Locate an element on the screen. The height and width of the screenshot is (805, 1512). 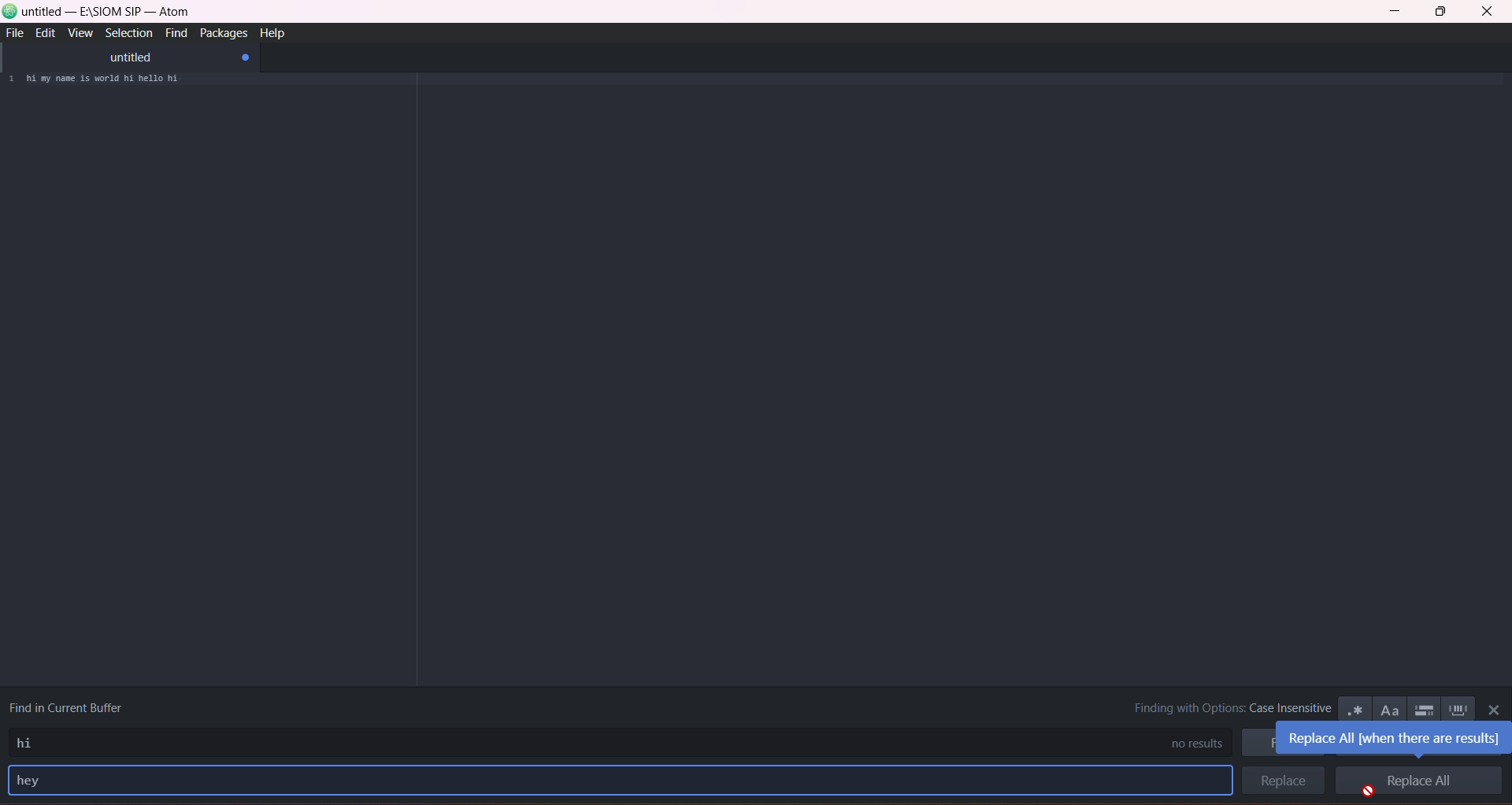
close panel is located at coordinates (1491, 712).